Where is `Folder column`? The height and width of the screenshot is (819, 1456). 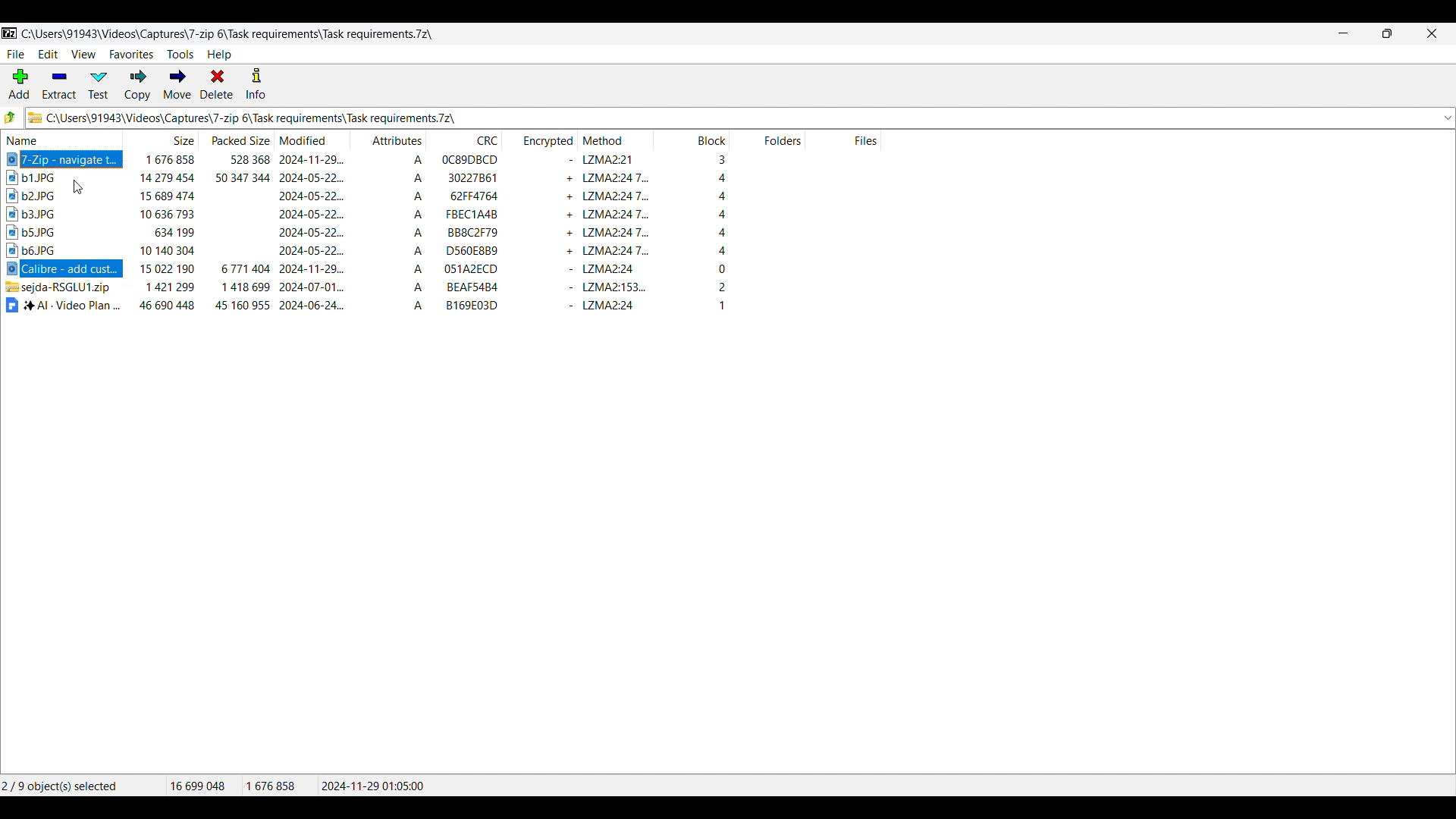
Folder column is located at coordinates (768, 139).